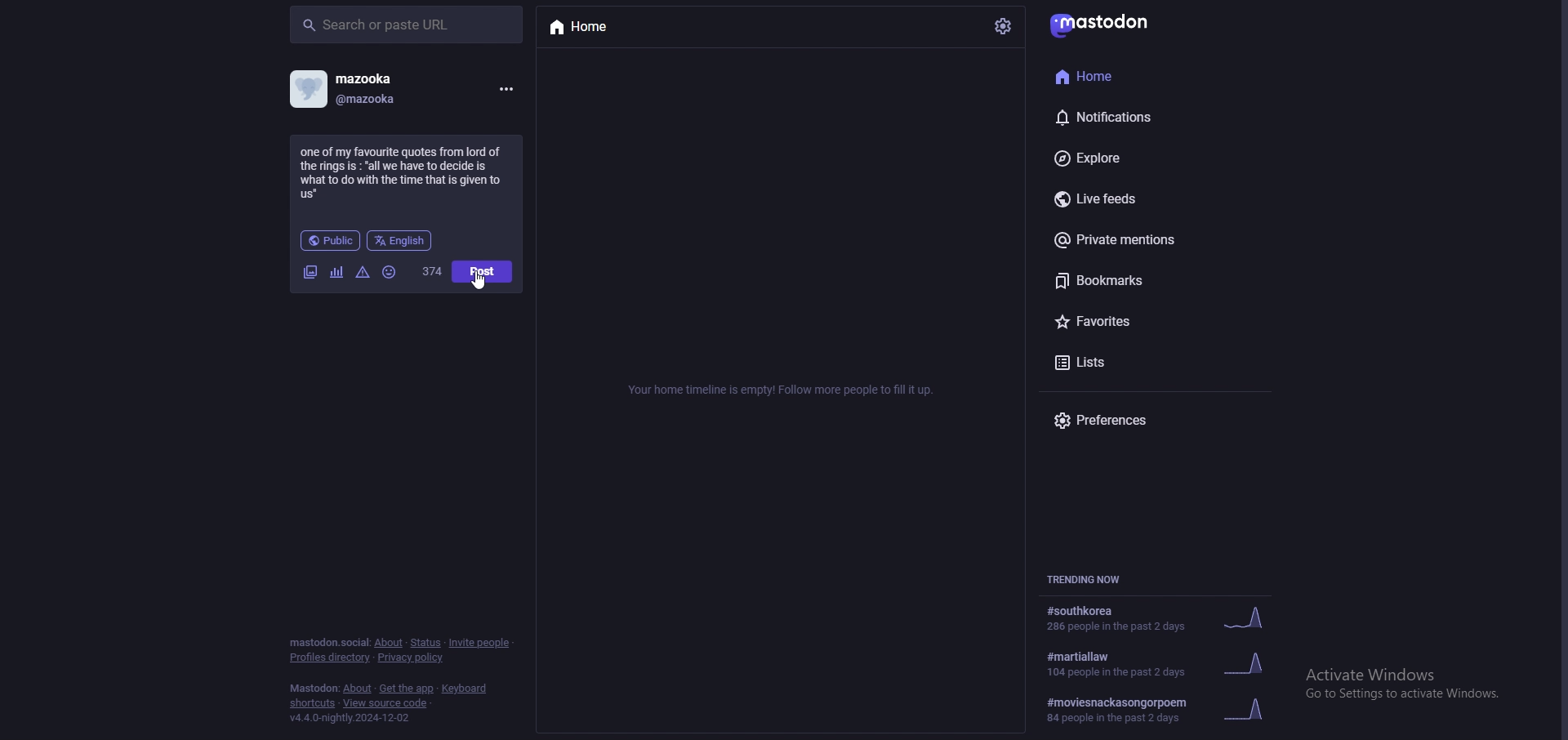 This screenshot has width=1568, height=740. What do you see at coordinates (1160, 665) in the screenshot?
I see `trending` at bounding box center [1160, 665].